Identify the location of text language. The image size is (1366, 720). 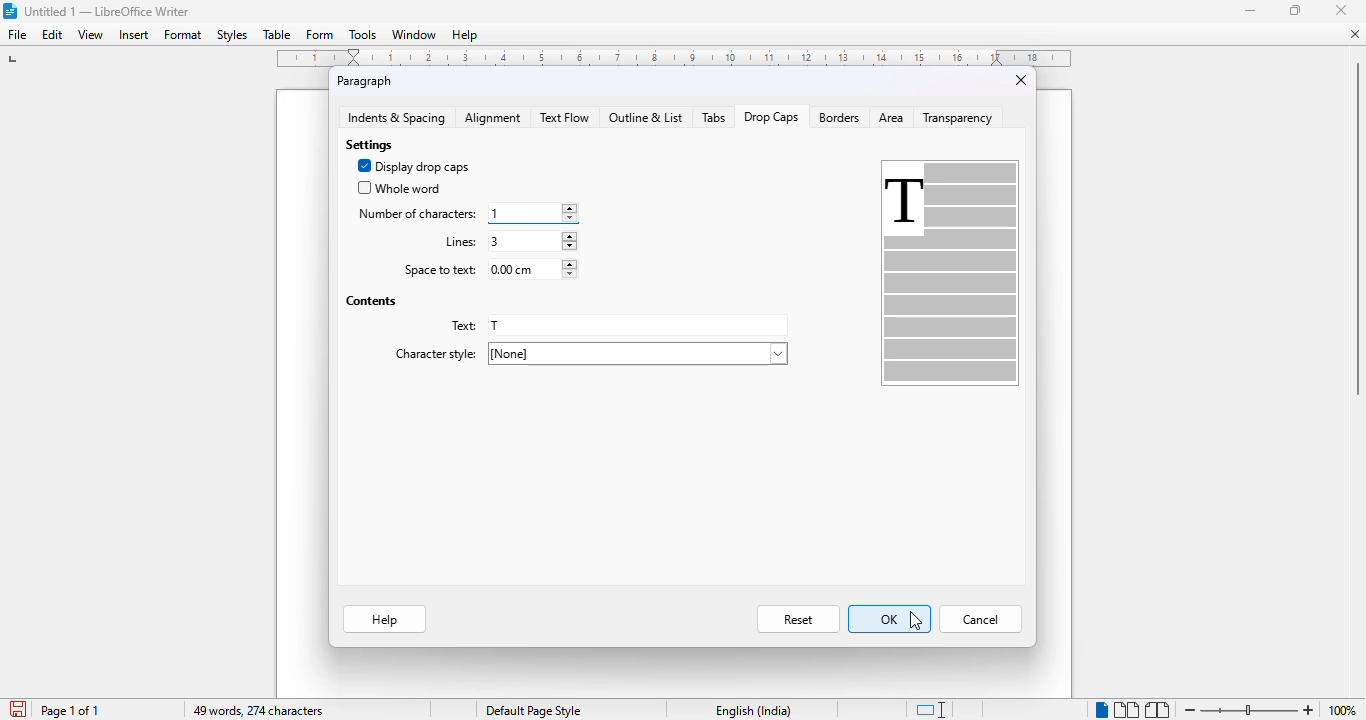
(753, 710).